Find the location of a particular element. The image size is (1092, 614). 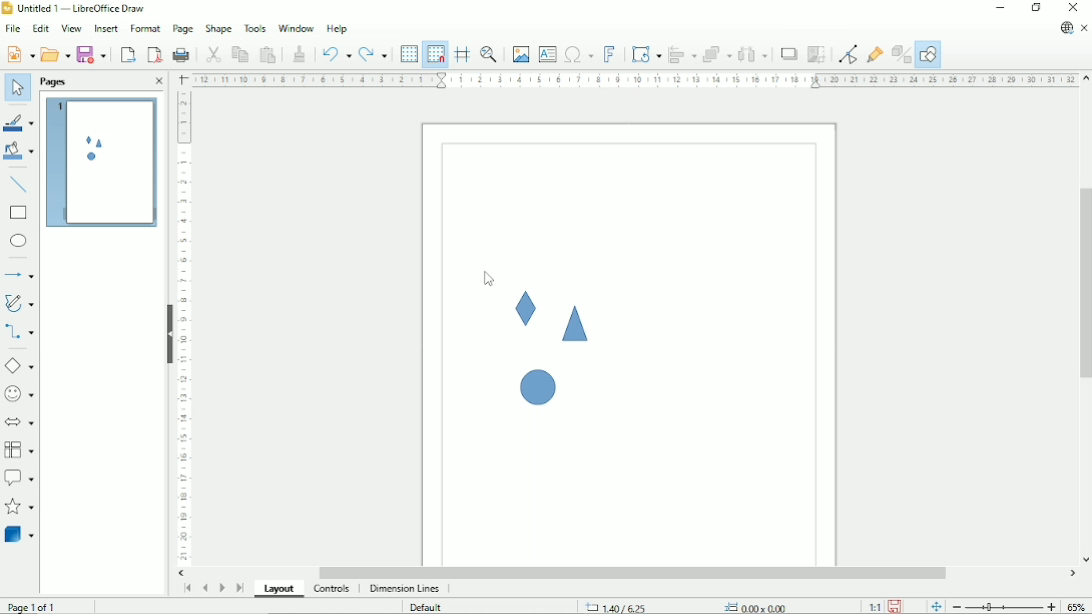

Dimension lines is located at coordinates (406, 589).